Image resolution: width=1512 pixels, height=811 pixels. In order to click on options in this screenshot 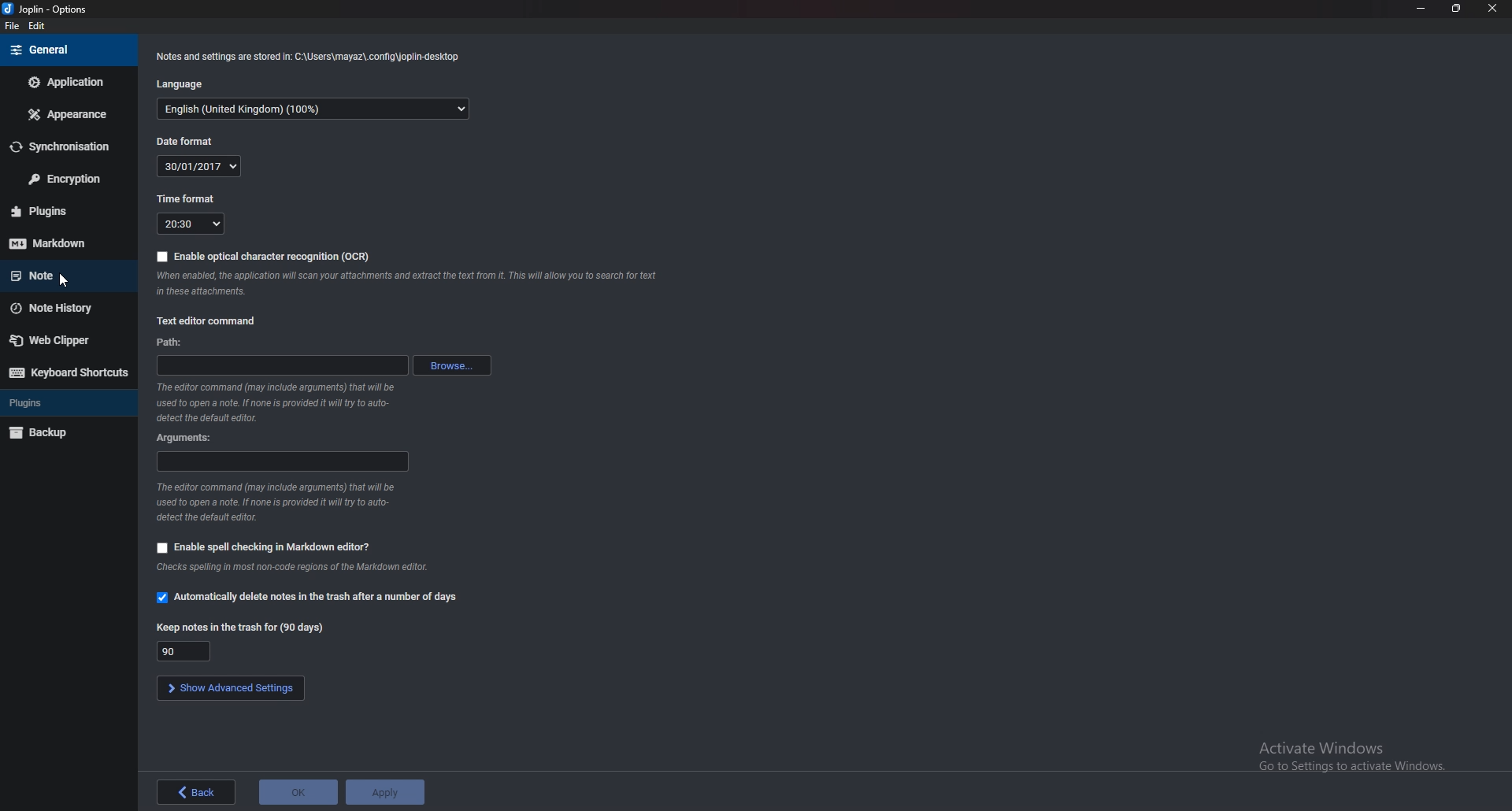, I will do `click(52, 9)`.